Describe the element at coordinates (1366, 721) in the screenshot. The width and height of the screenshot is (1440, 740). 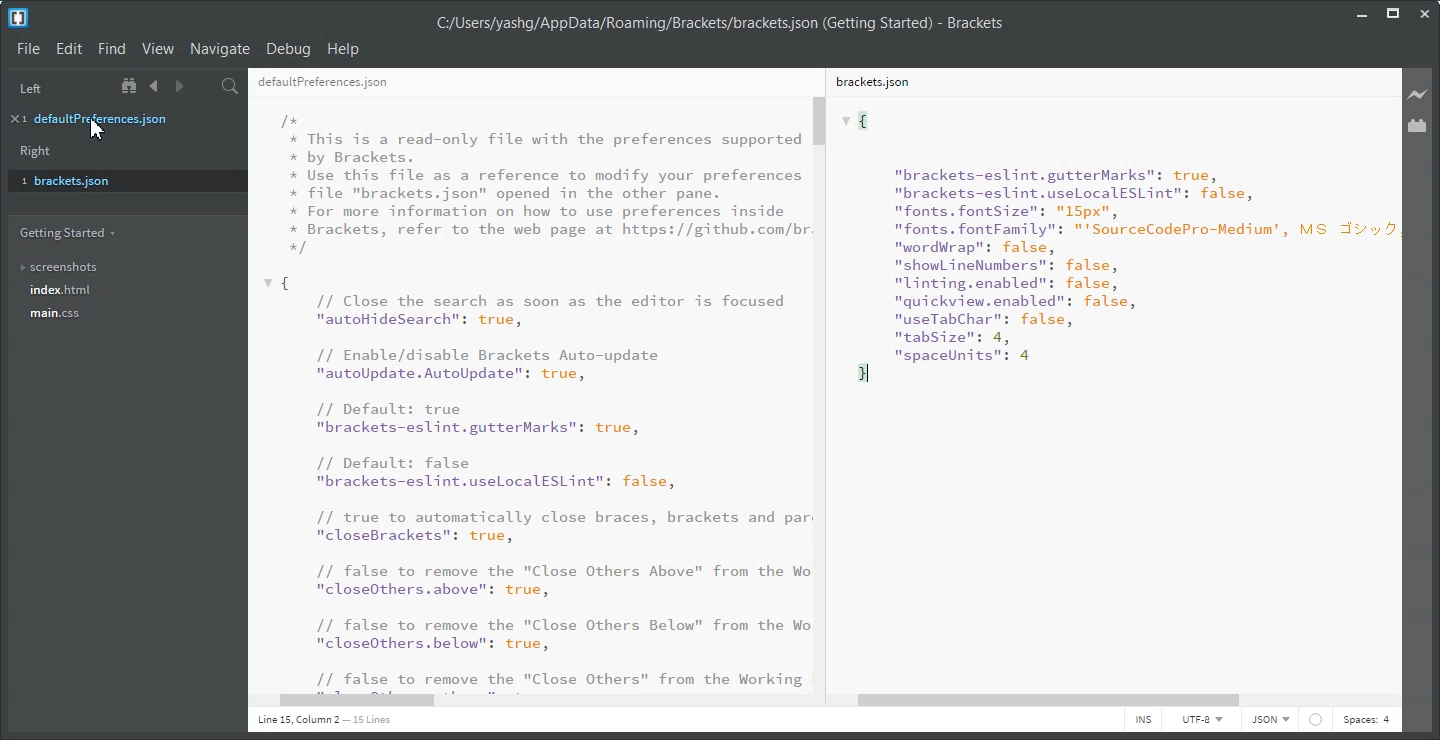
I see `Spaces: 4` at that location.